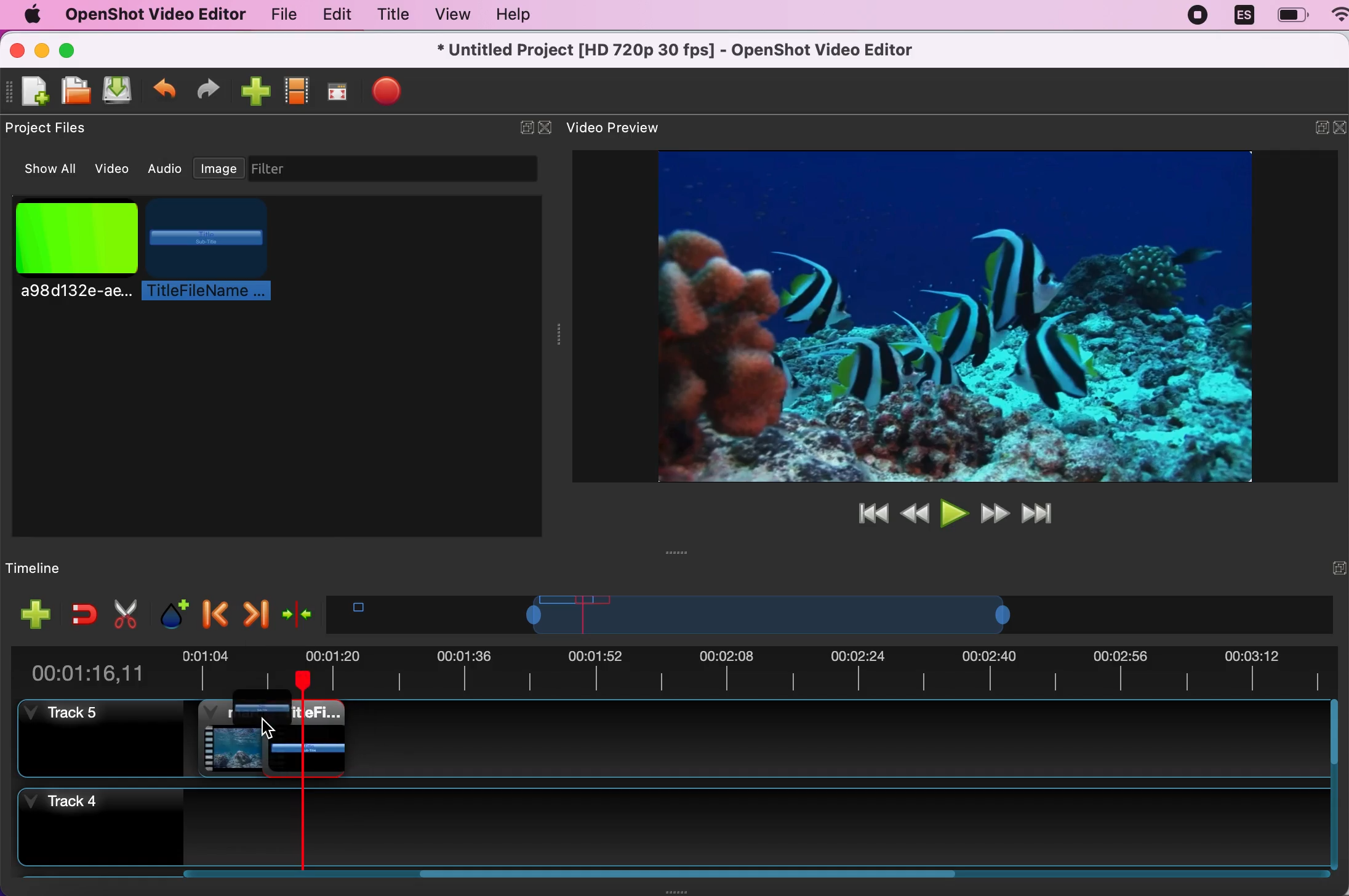  I want to click on language, so click(1244, 17).